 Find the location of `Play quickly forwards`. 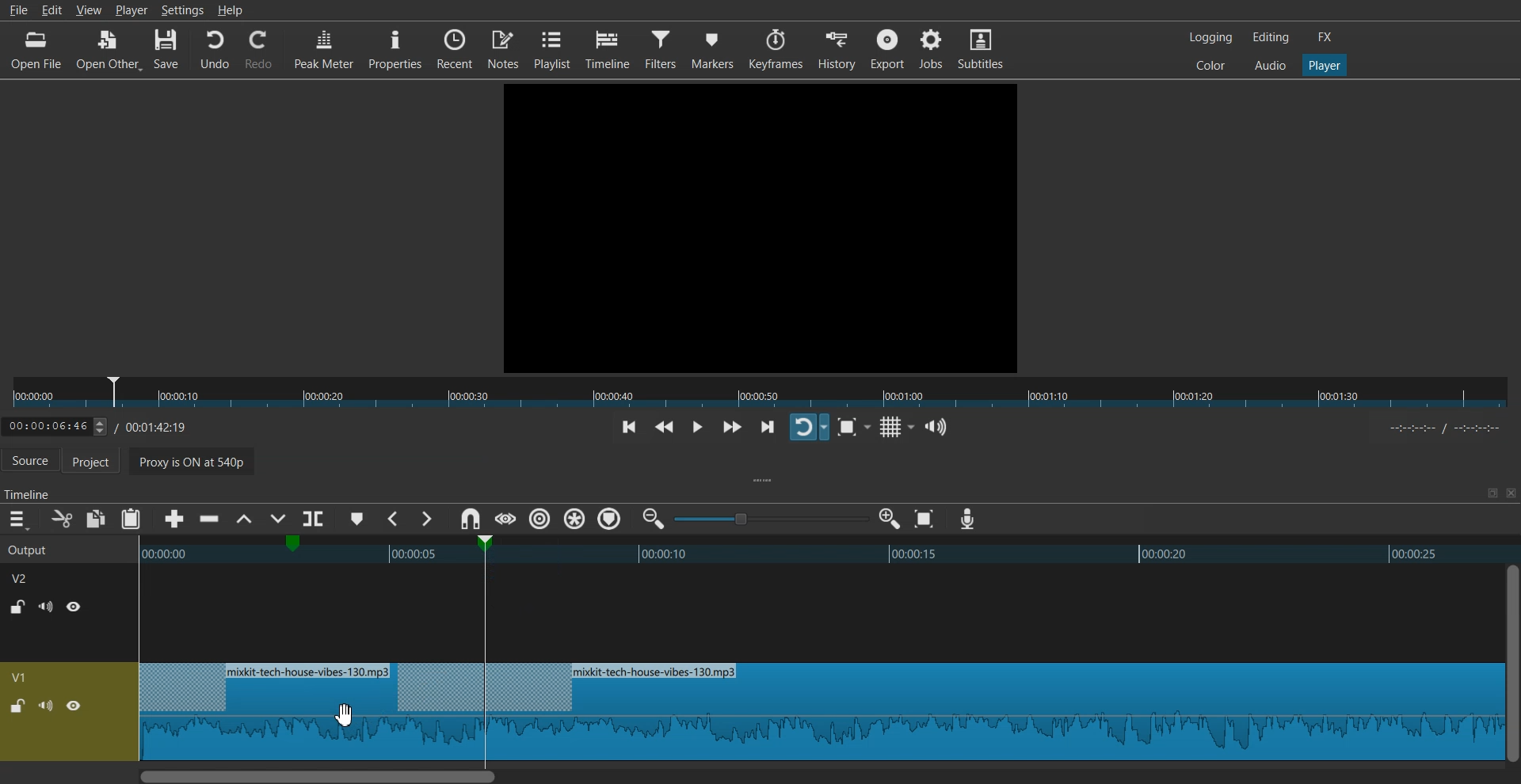

Play quickly forwards is located at coordinates (732, 427).